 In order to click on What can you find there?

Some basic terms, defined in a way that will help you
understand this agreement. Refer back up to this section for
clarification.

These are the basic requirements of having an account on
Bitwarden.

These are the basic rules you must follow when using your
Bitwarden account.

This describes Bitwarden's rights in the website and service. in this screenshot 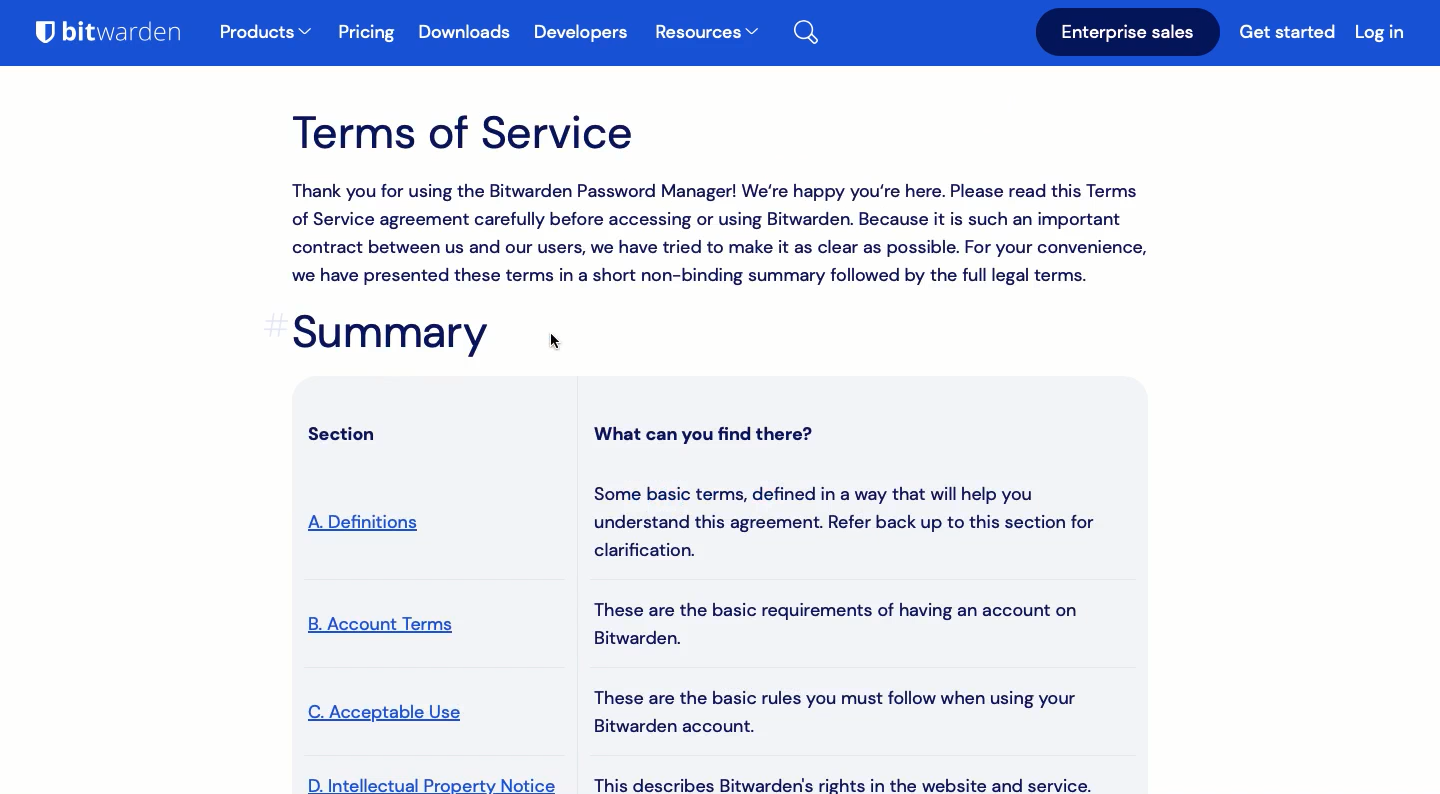, I will do `click(855, 605)`.